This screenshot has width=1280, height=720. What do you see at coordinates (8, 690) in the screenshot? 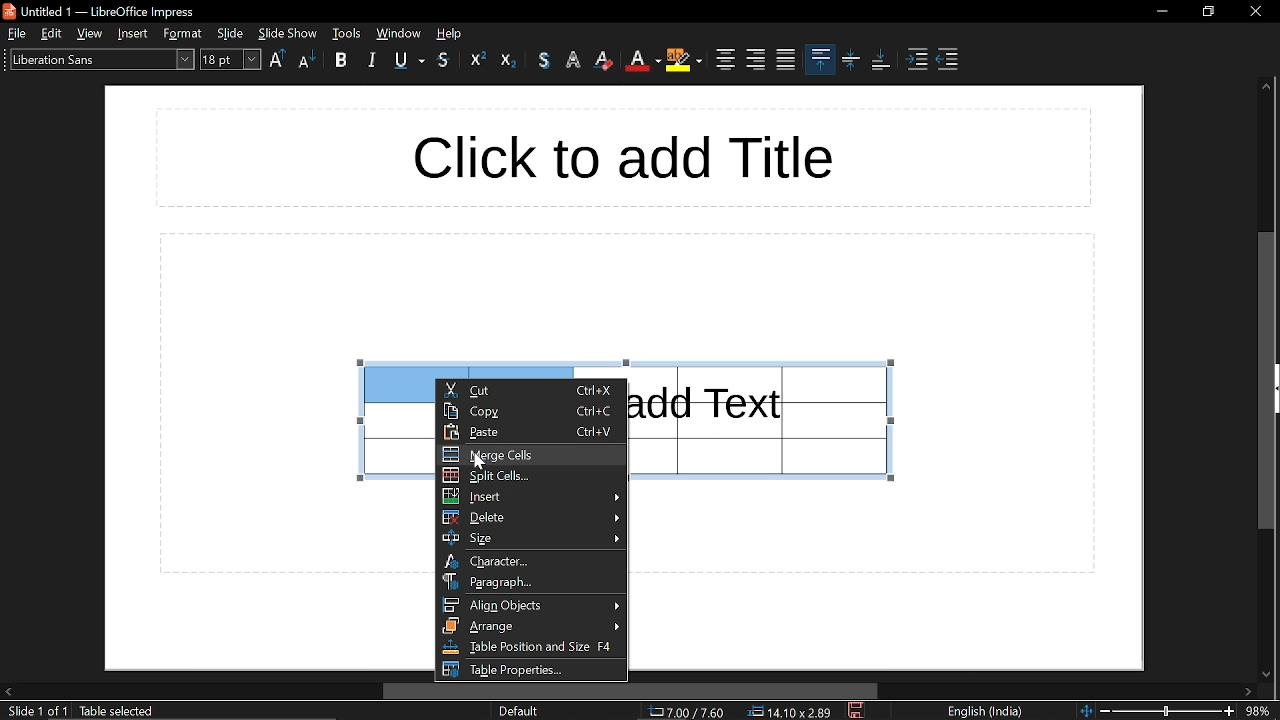
I see `move left` at bounding box center [8, 690].